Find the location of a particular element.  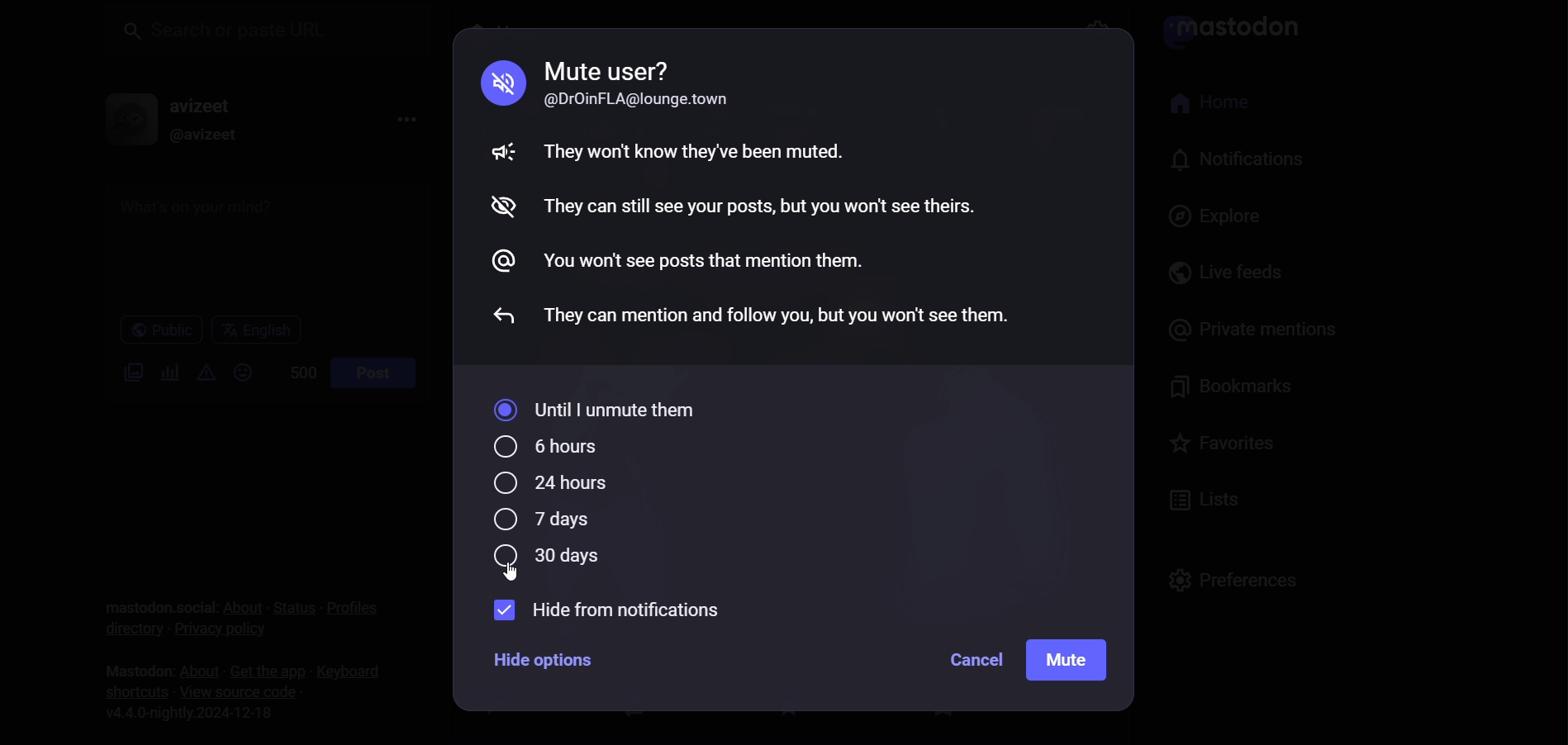

24 hours is located at coordinates (548, 486).